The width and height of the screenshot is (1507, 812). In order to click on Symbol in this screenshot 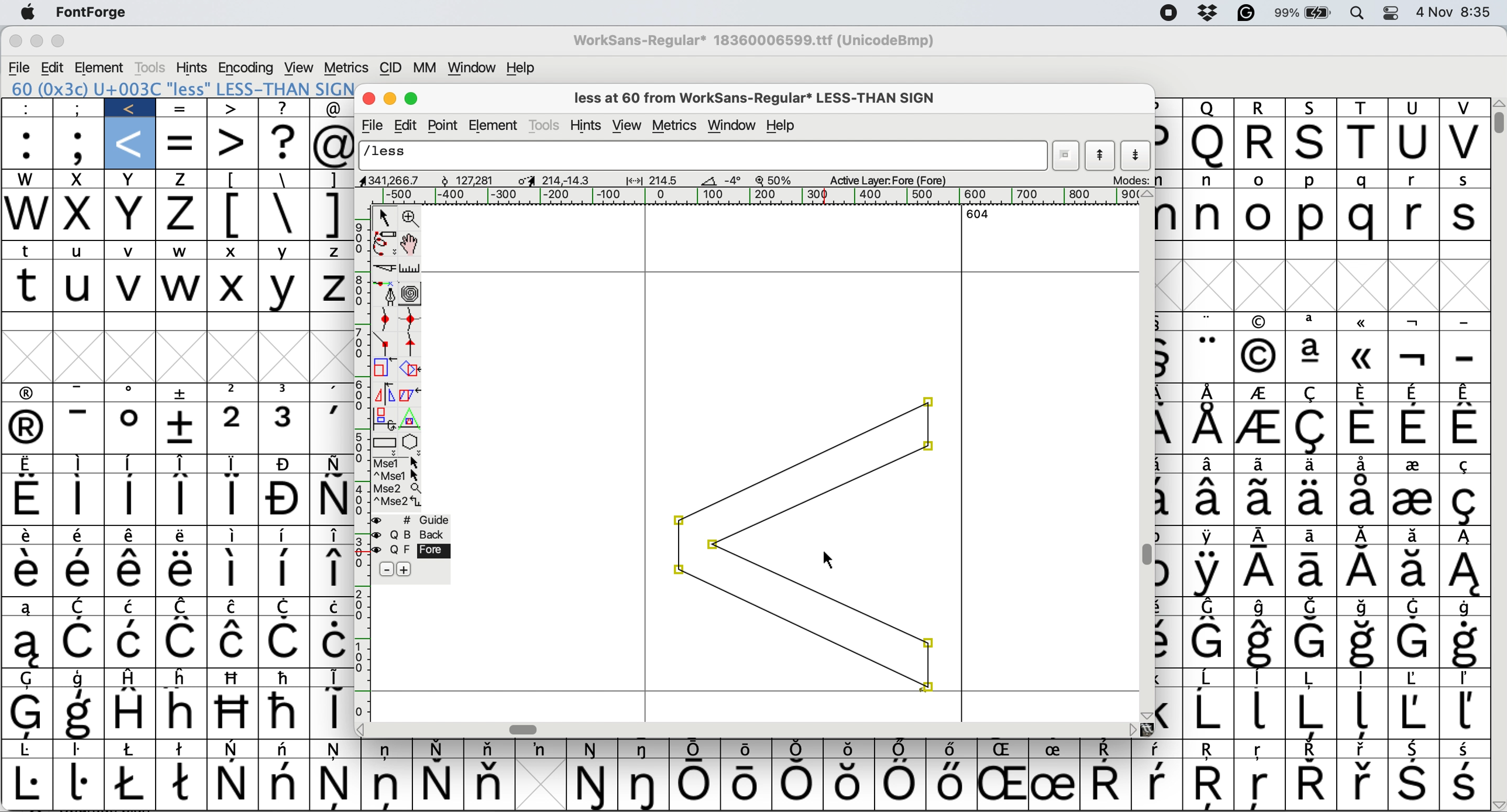, I will do `click(1361, 465)`.